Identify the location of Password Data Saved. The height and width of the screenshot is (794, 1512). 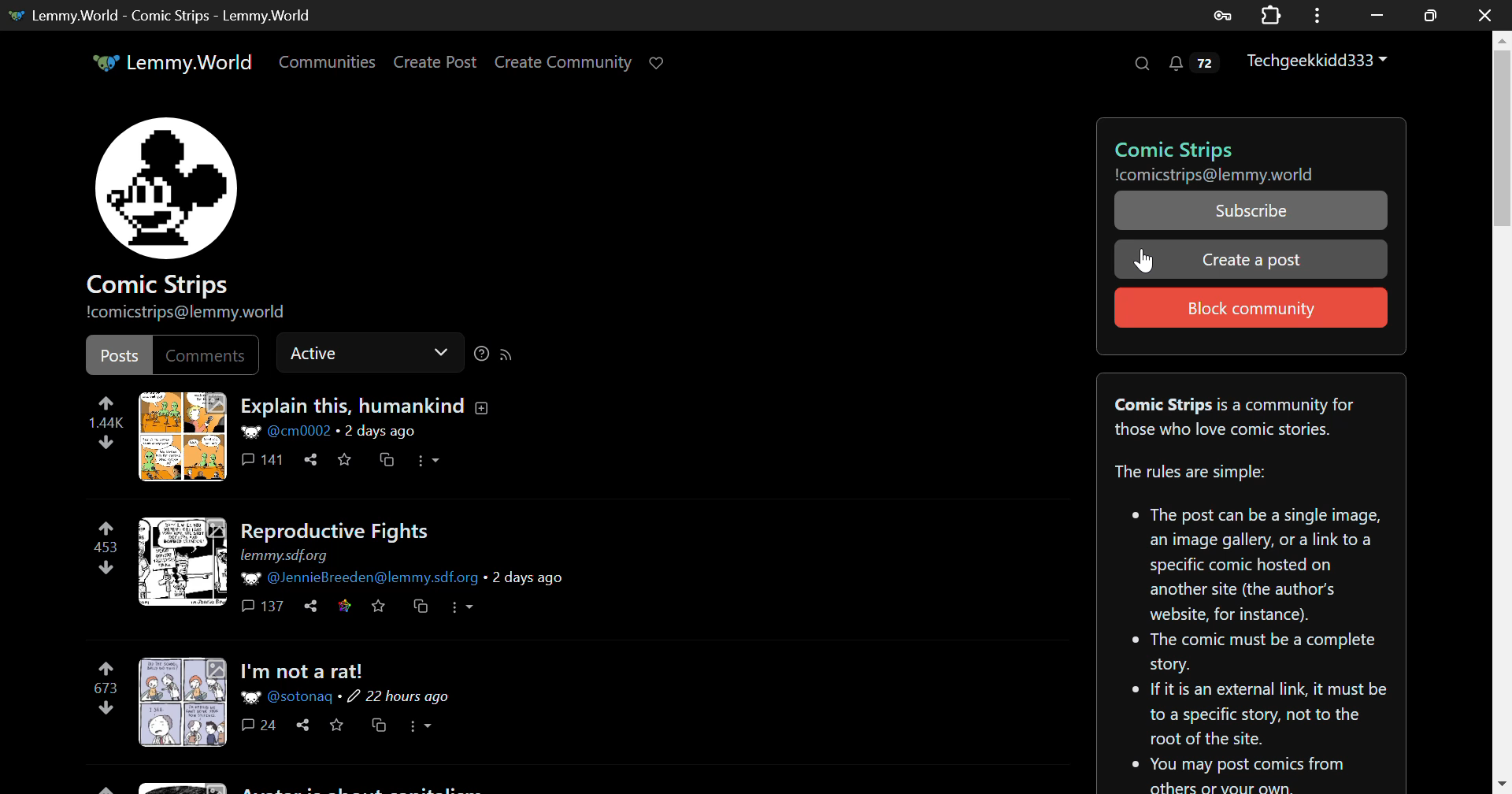
(1224, 14).